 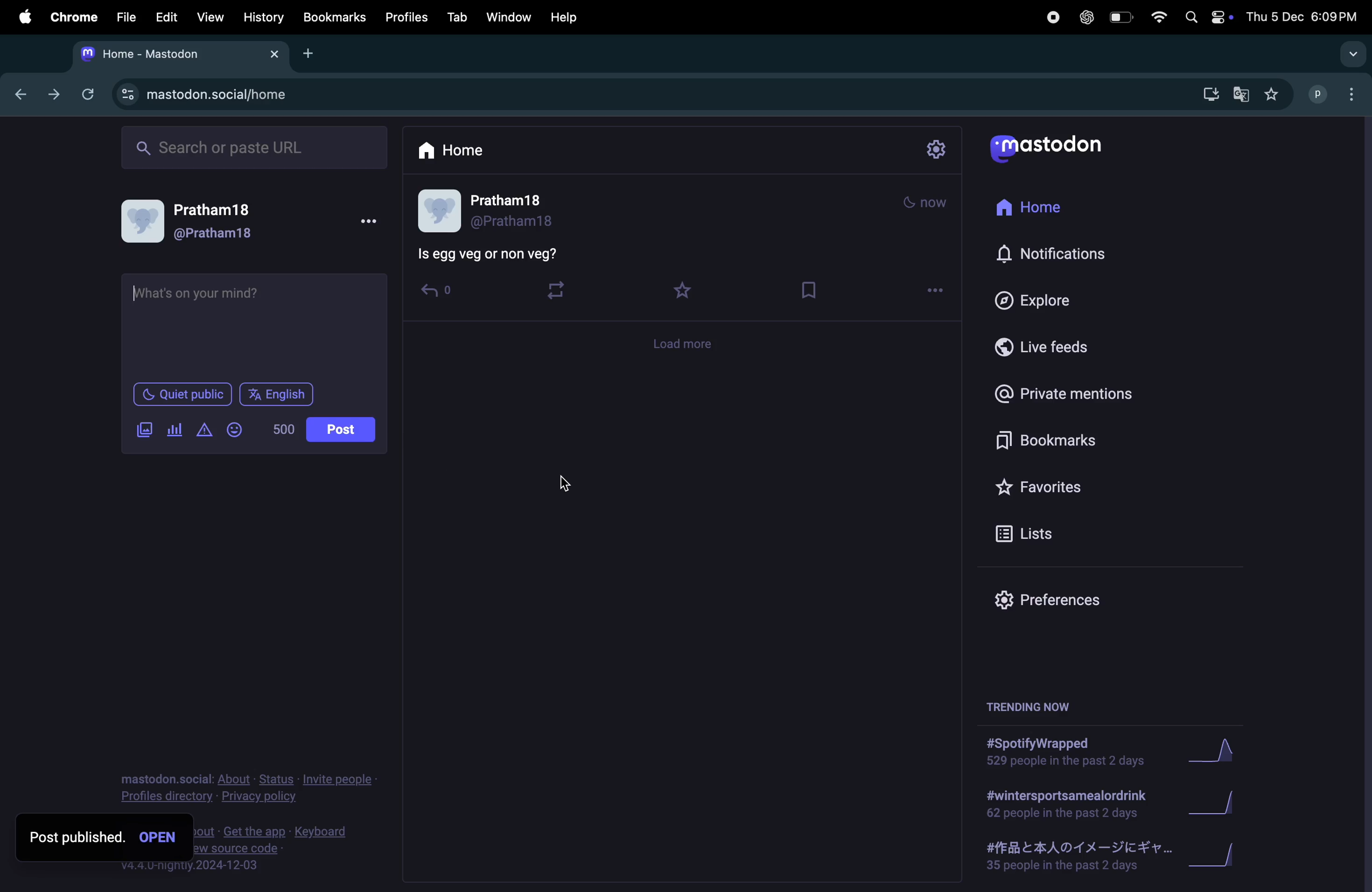 I want to click on post, so click(x=344, y=428).